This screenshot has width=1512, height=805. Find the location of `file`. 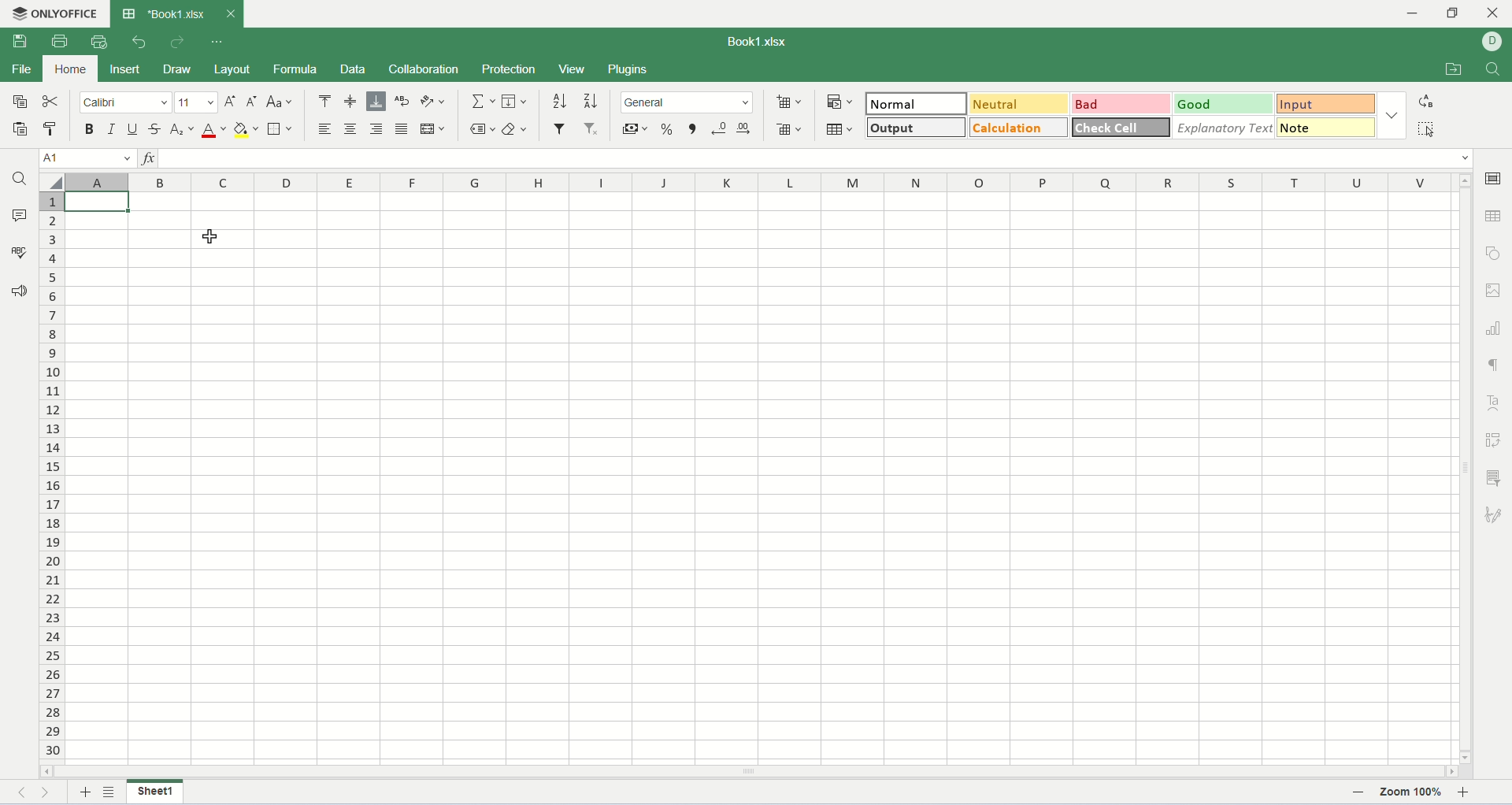

file is located at coordinates (20, 69).